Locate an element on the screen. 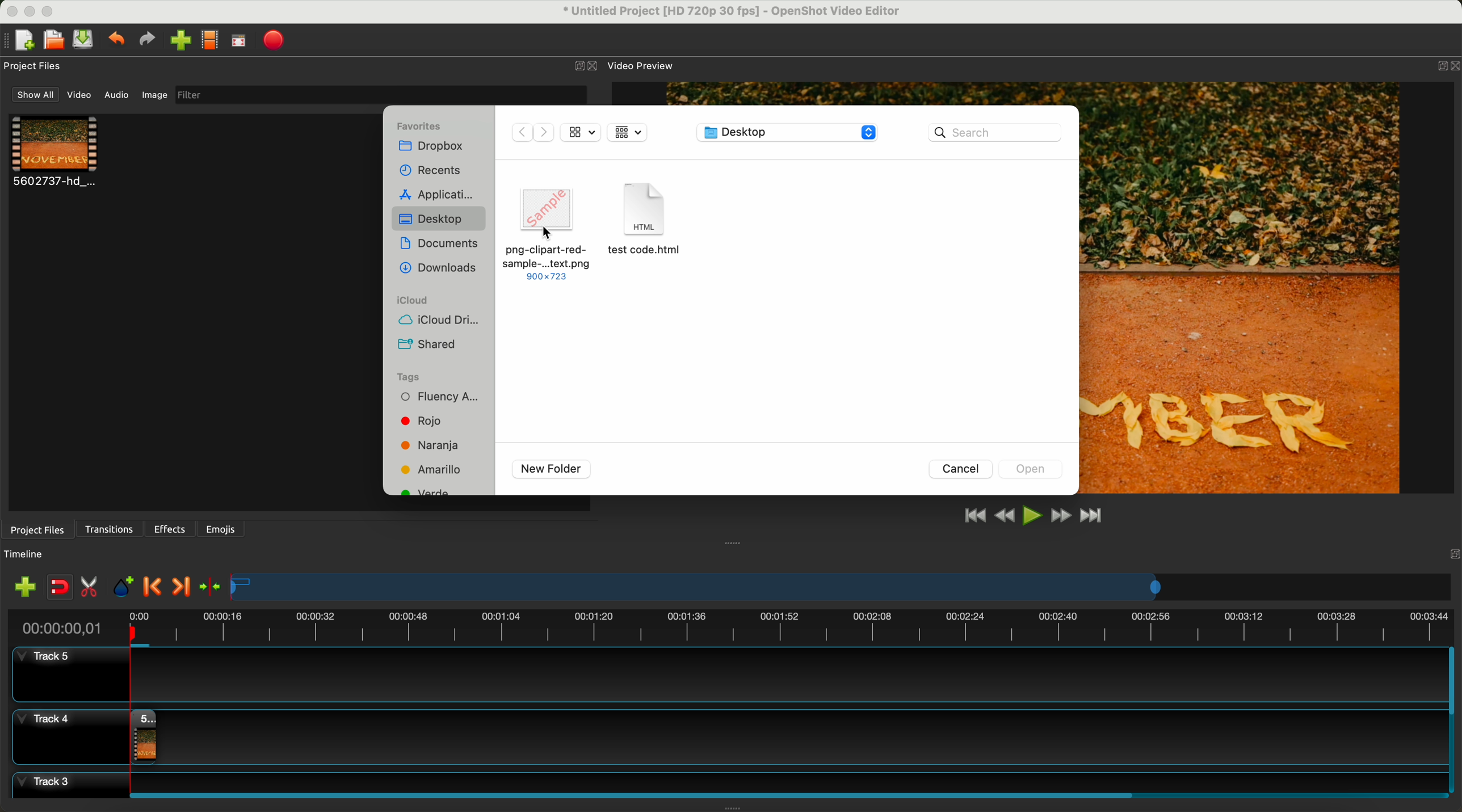 The image size is (1462, 812). ruency is located at coordinates (447, 399).